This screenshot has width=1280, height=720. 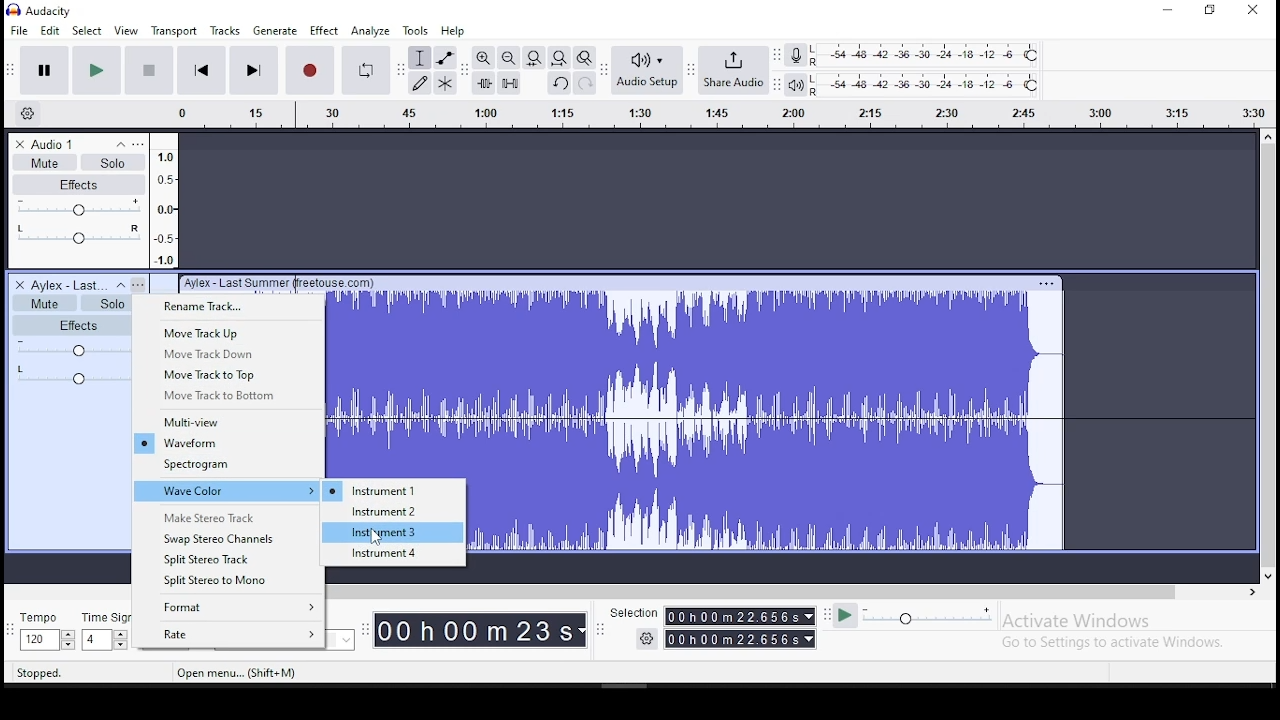 What do you see at coordinates (235, 673) in the screenshot?
I see `open menu` at bounding box center [235, 673].